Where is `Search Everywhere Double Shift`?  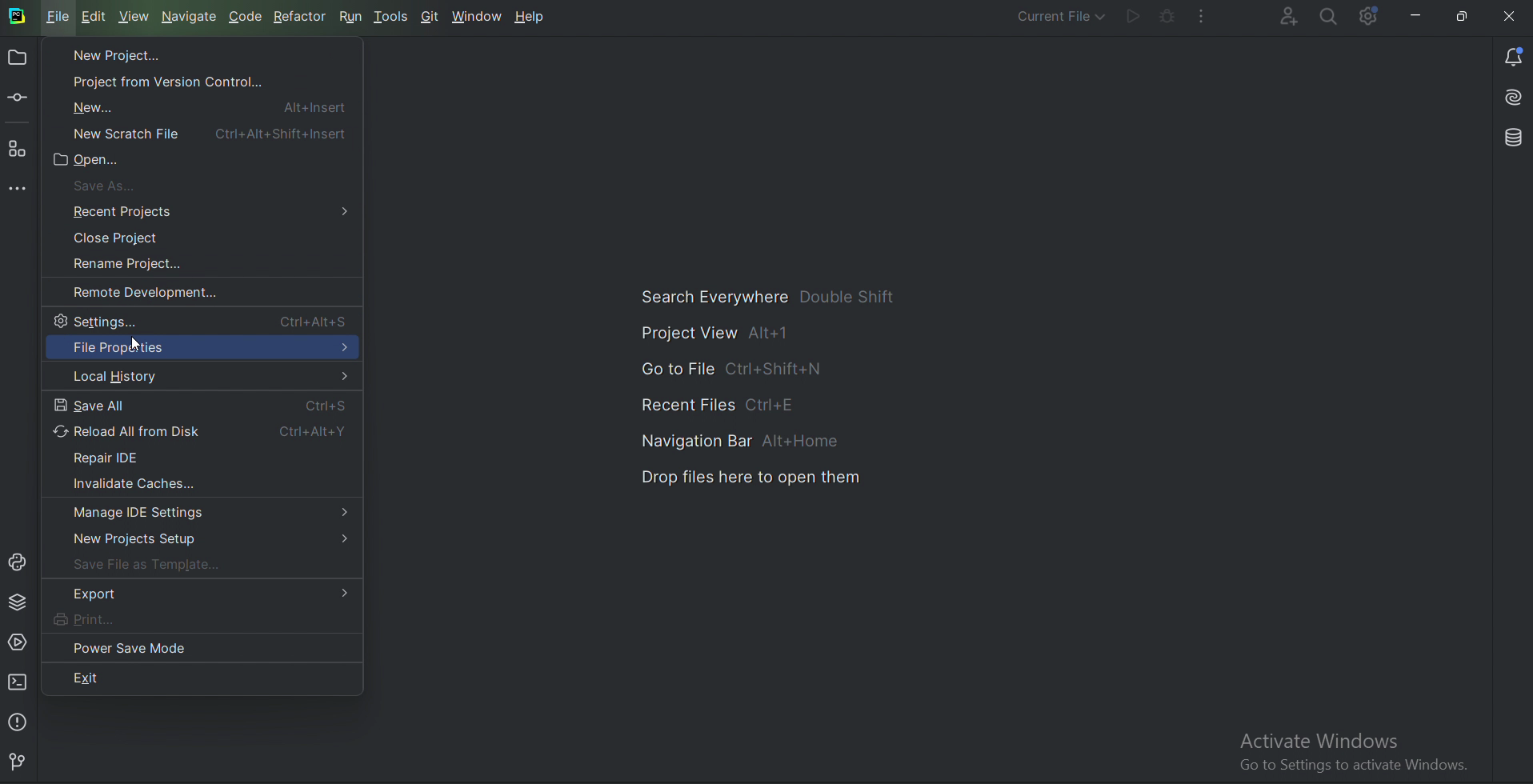 Search Everywhere Double Shift is located at coordinates (772, 296).